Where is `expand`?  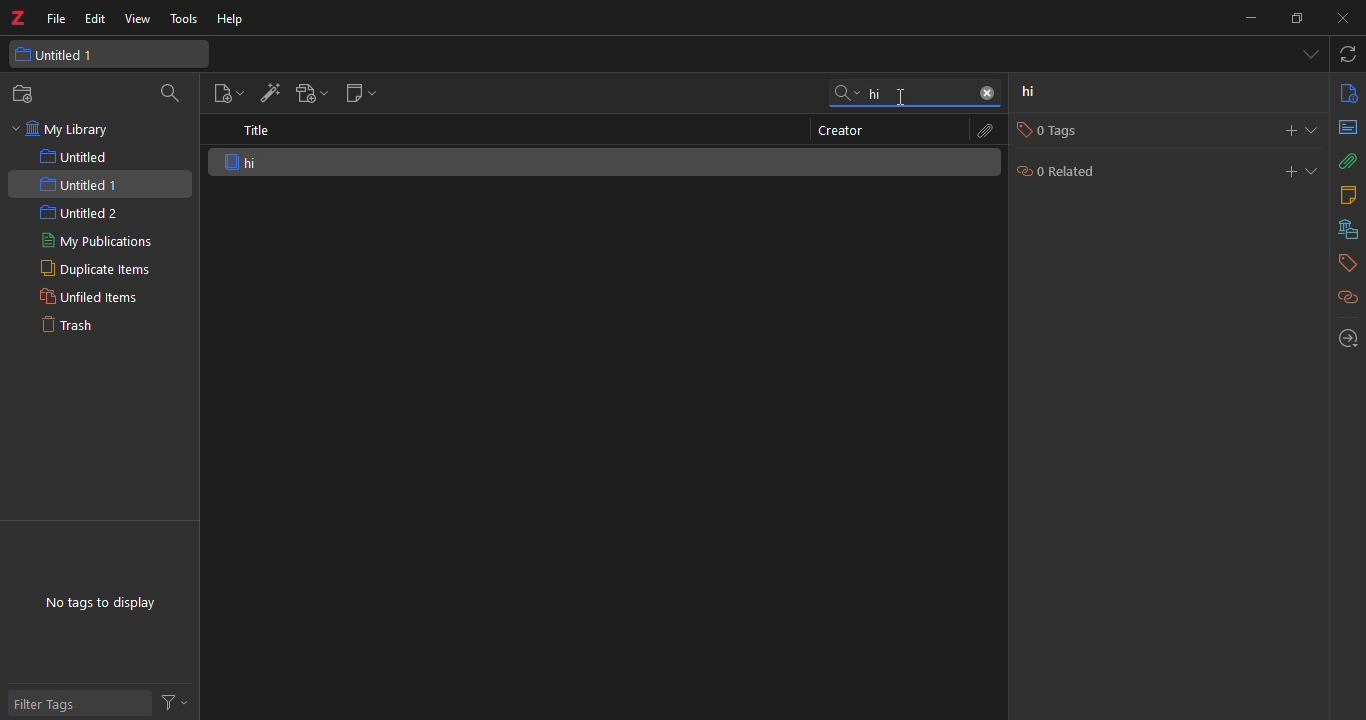 expand is located at coordinates (1311, 170).